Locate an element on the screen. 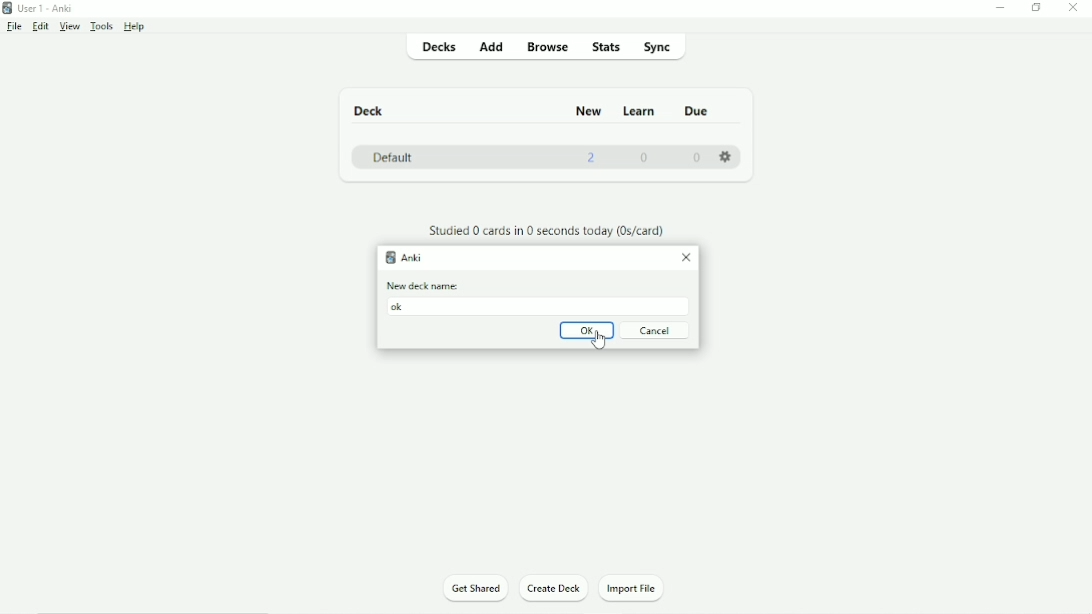 The height and width of the screenshot is (614, 1092). 2 is located at coordinates (592, 158).